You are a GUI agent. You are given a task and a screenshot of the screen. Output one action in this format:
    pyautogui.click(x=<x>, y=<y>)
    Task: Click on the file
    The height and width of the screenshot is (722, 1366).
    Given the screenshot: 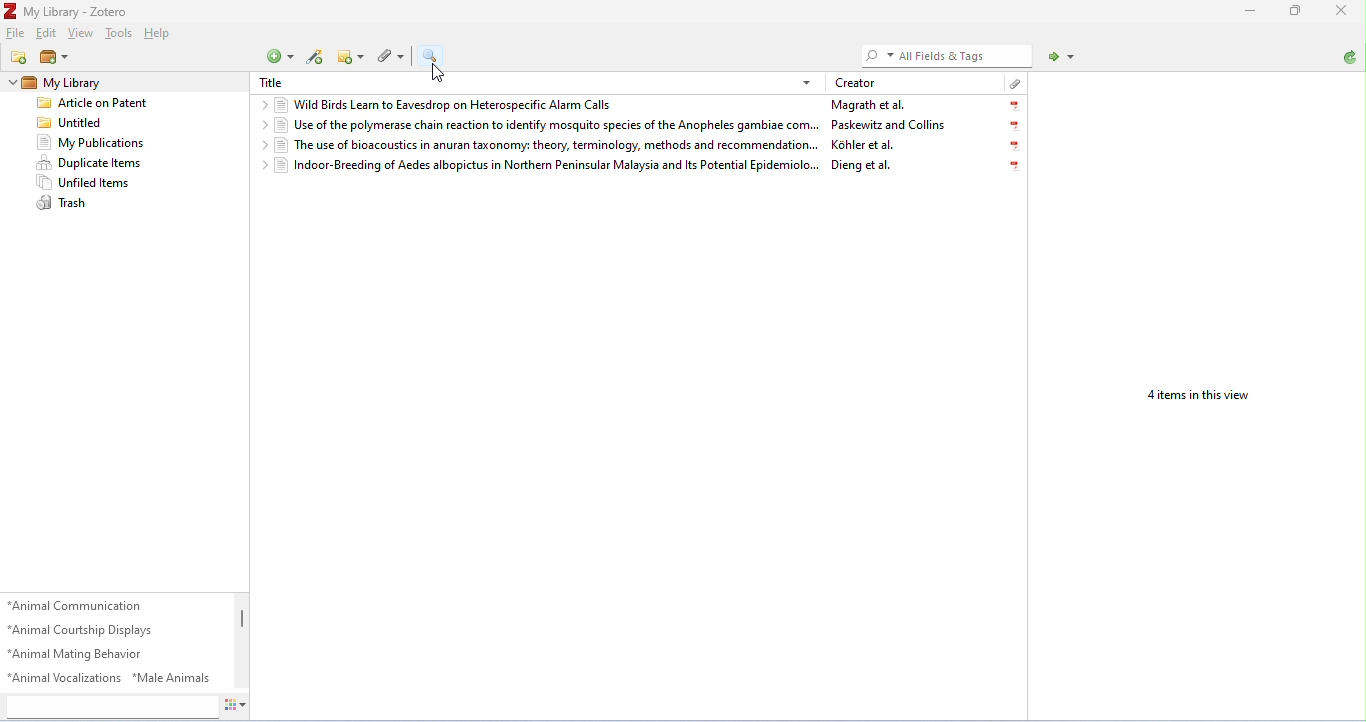 What is the action you would take?
    pyautogui.click(x=16, y=32)
    